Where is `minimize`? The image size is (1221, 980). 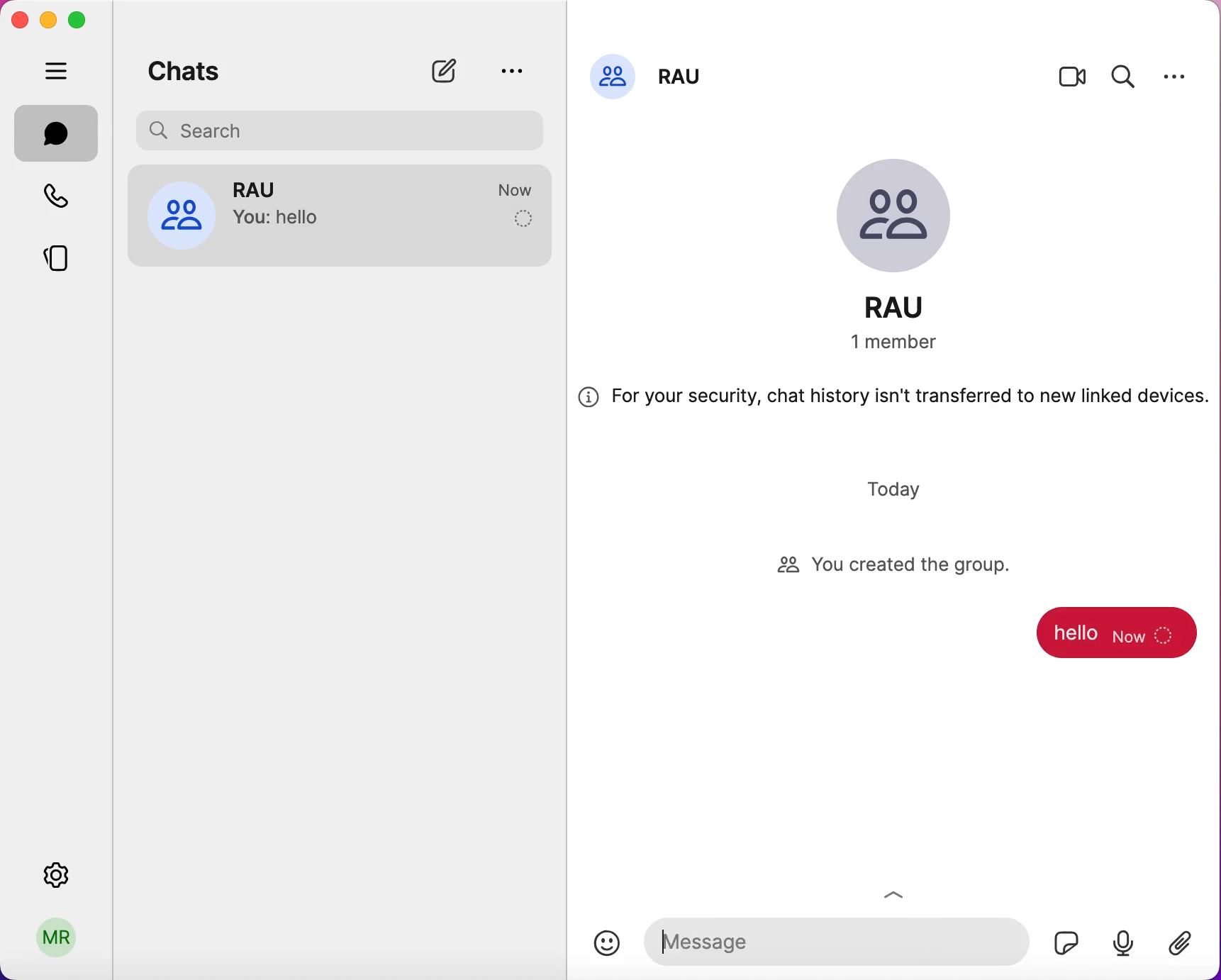
minimize is located at coordinates (47, 19).